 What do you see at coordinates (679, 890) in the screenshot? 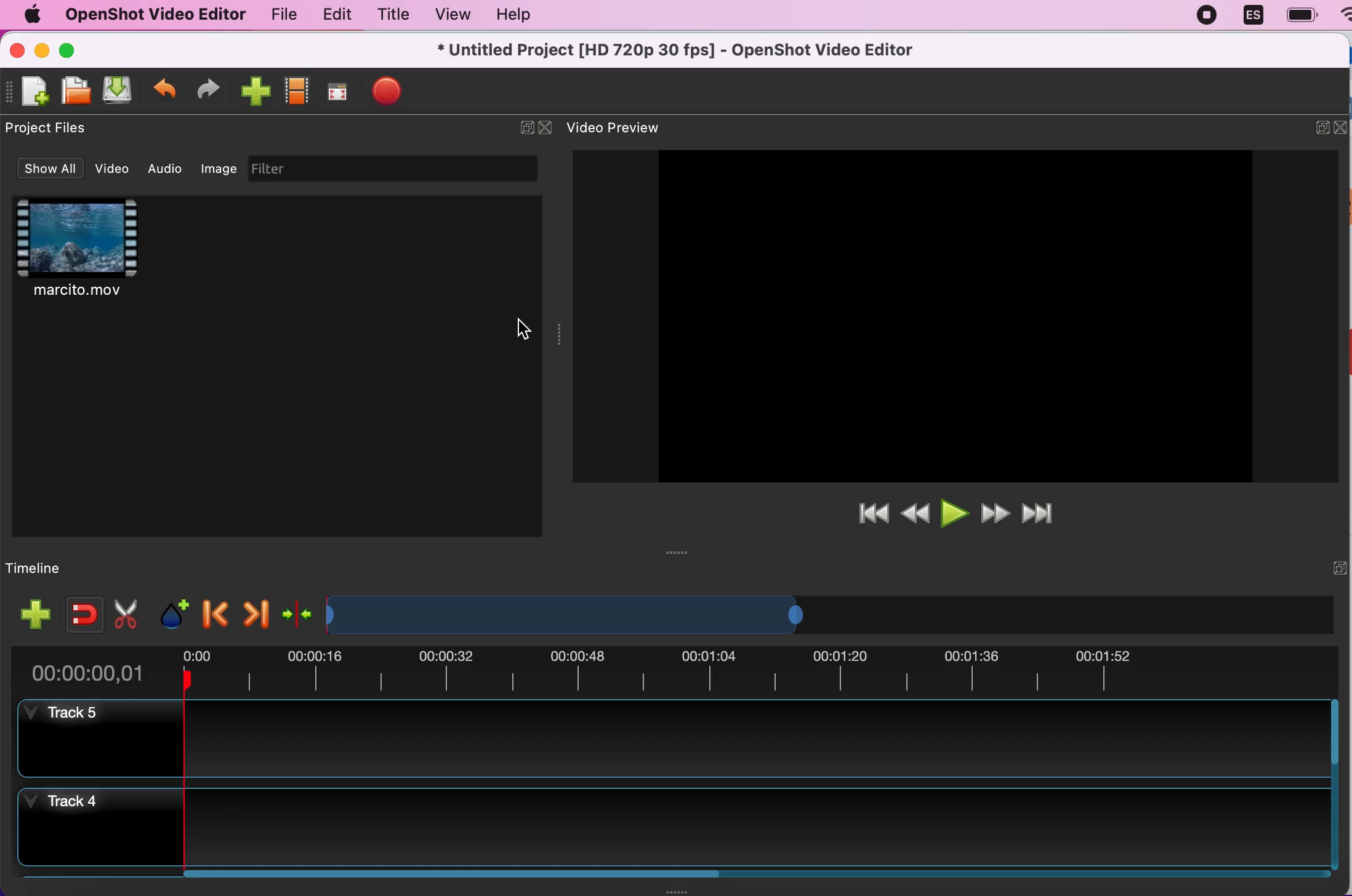
I see `Window Expanding` at bounding box center [679, 890].